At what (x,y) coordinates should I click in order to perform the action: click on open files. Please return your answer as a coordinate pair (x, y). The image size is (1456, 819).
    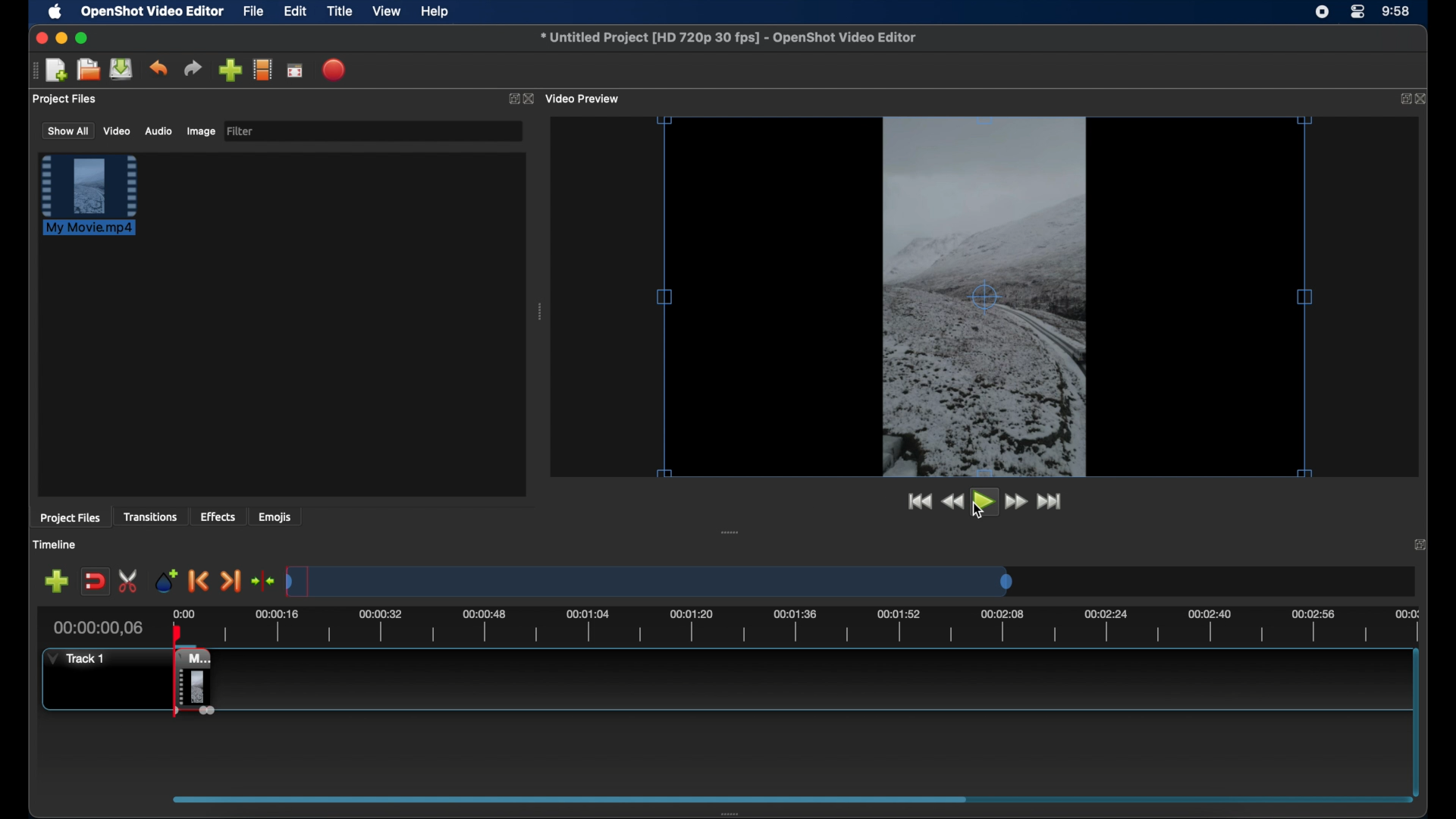
    Looking at the image, I should click on (89, 71).